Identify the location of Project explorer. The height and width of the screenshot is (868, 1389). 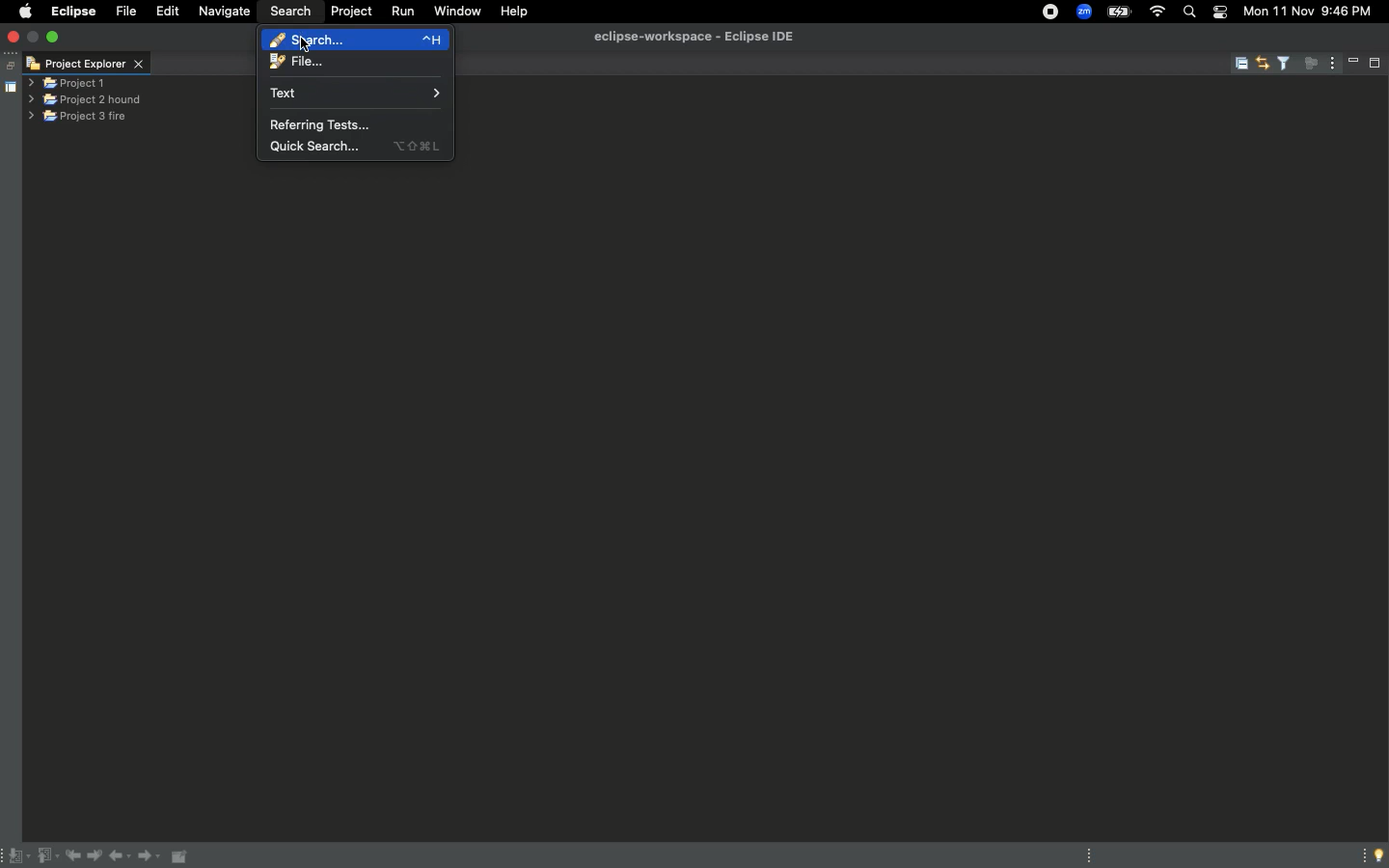
(86, 63).